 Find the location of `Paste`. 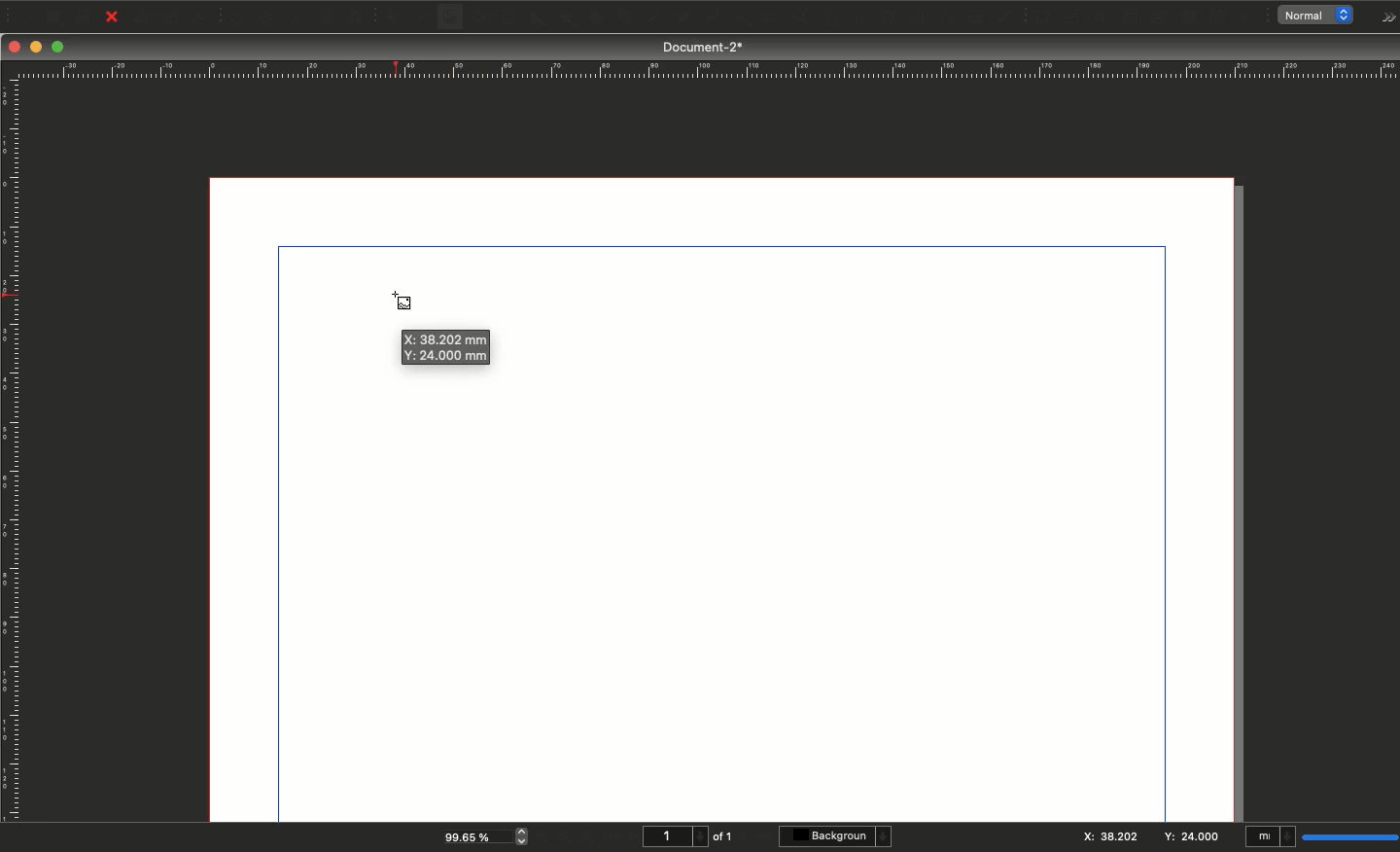

Paste is located at coordinates (361, 18).